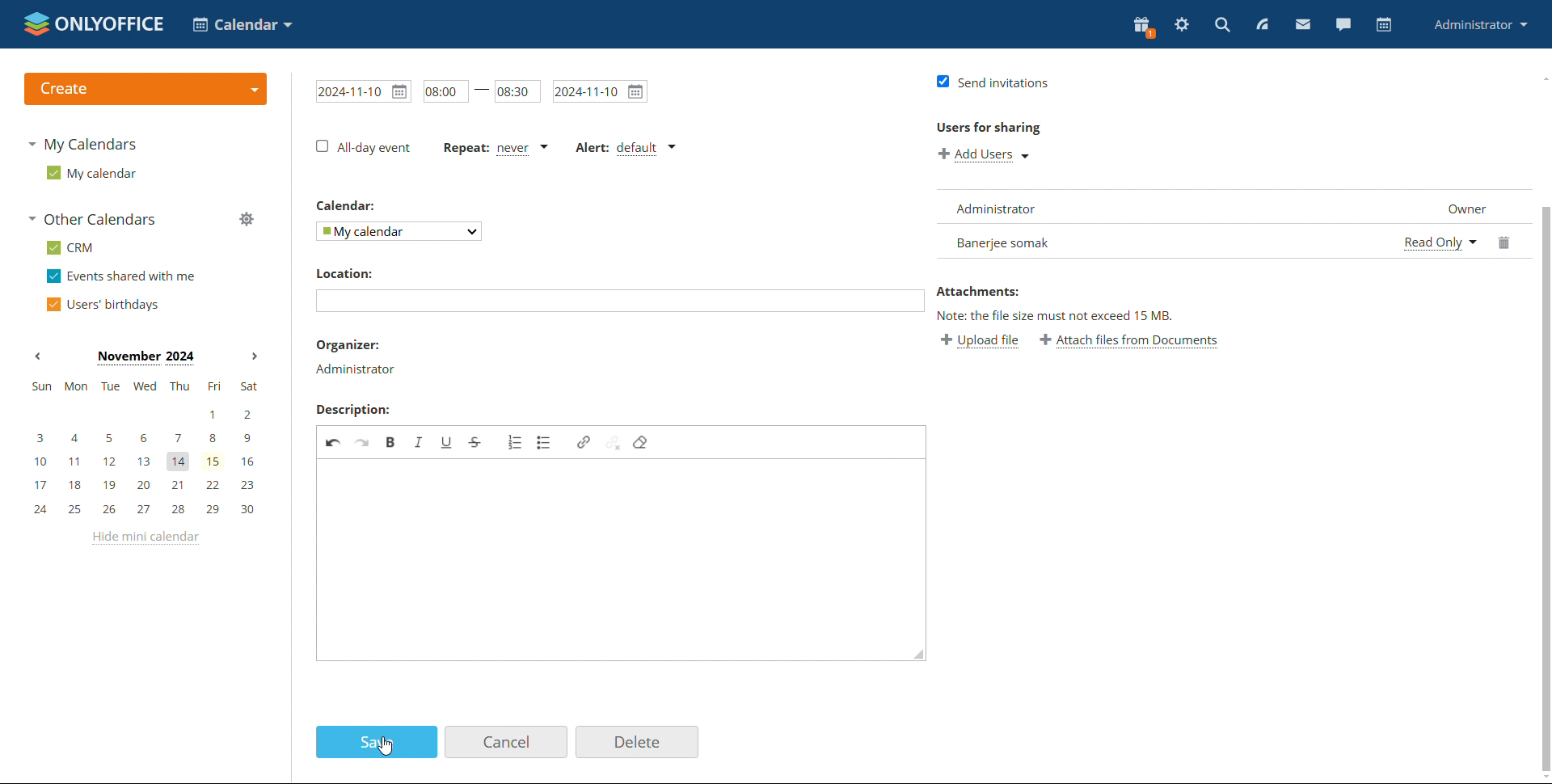  I want to click on alert type, so click(624, 147).